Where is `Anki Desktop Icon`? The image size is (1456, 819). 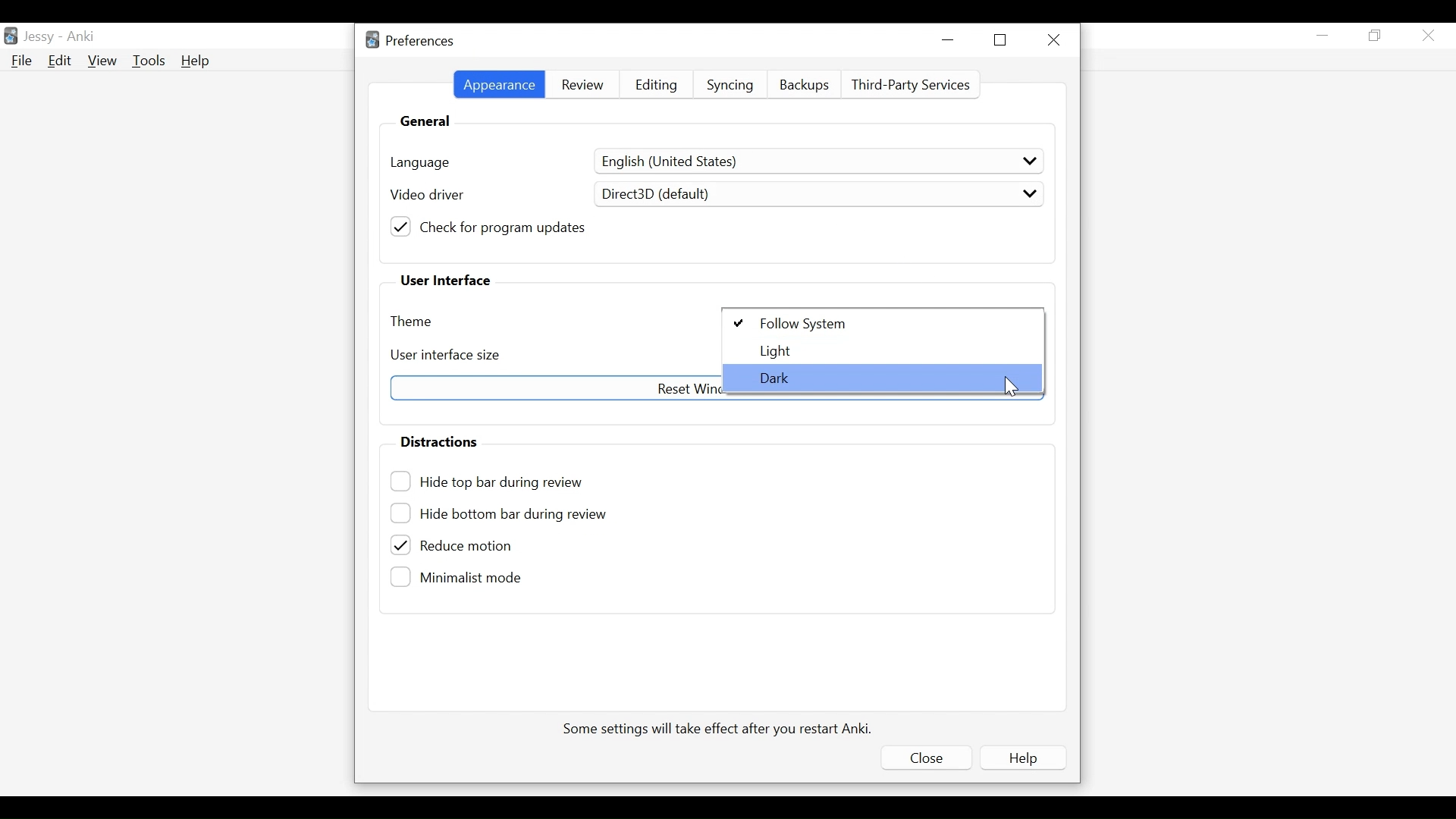 Anki Desktop Icon is located at coordinates (11, 36).